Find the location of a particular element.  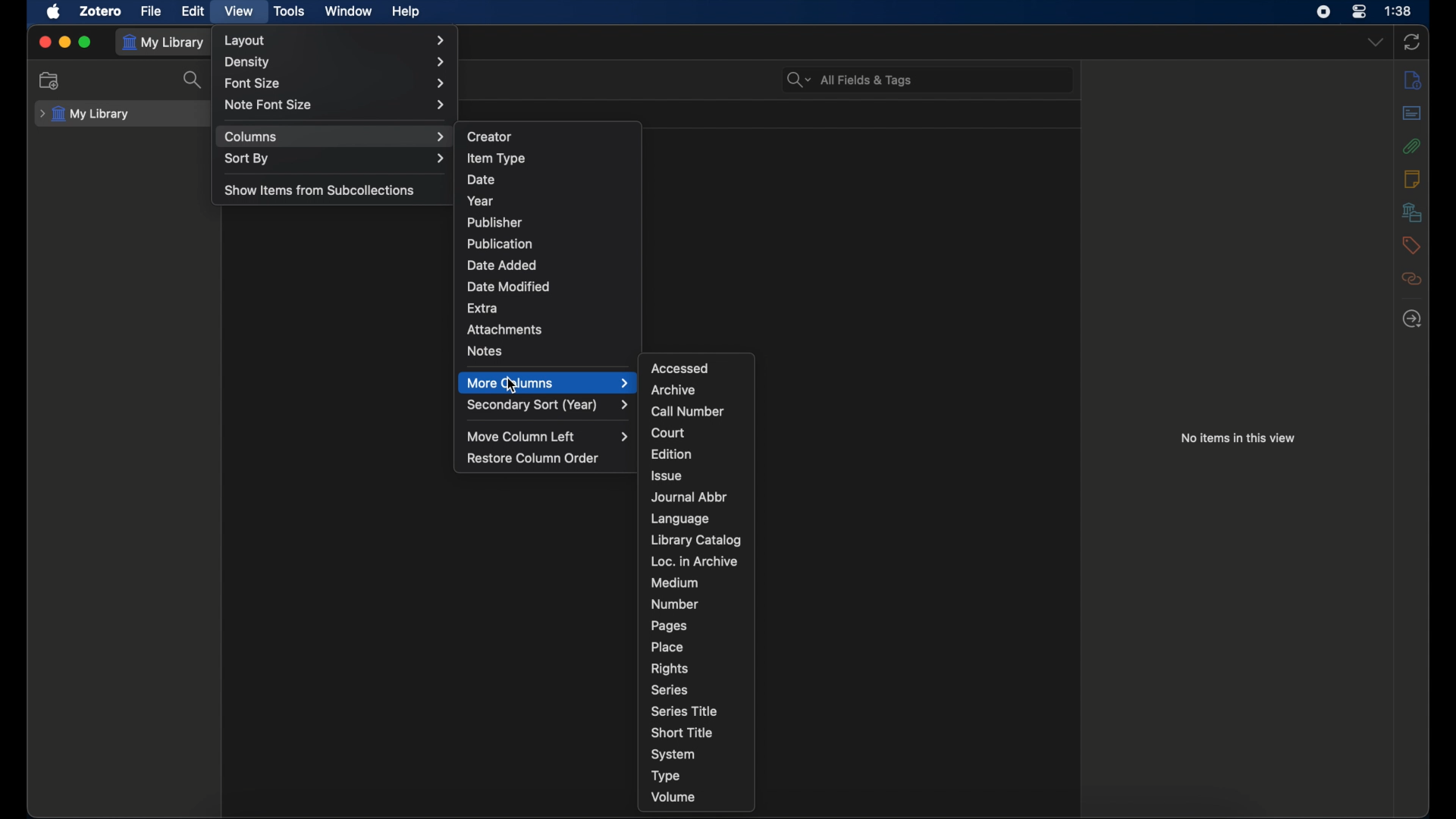

restore column order is located at coordinates (533, 458).